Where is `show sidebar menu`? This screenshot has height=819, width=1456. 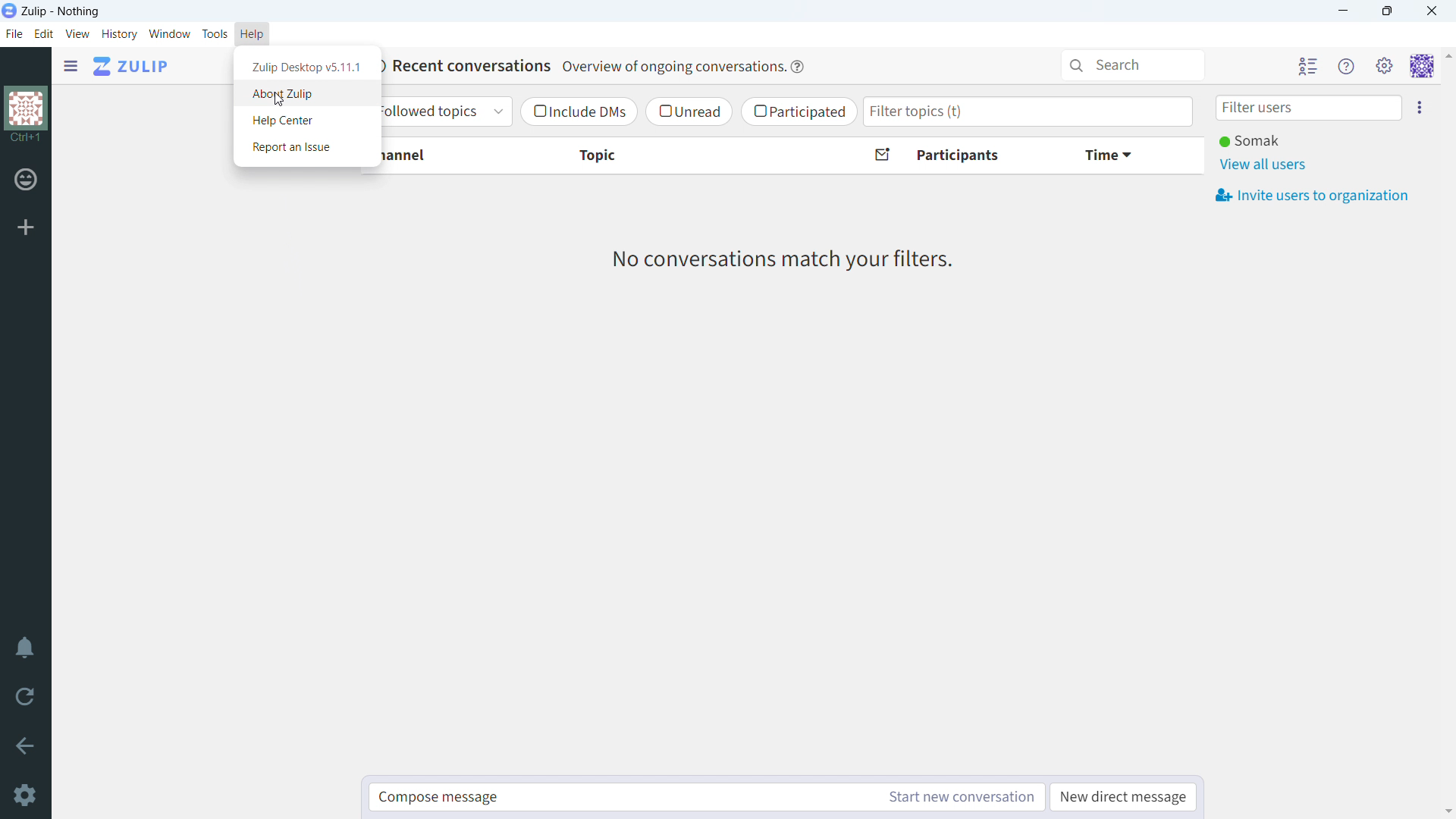 show sidebar menu is located at coordinates (73, 67).